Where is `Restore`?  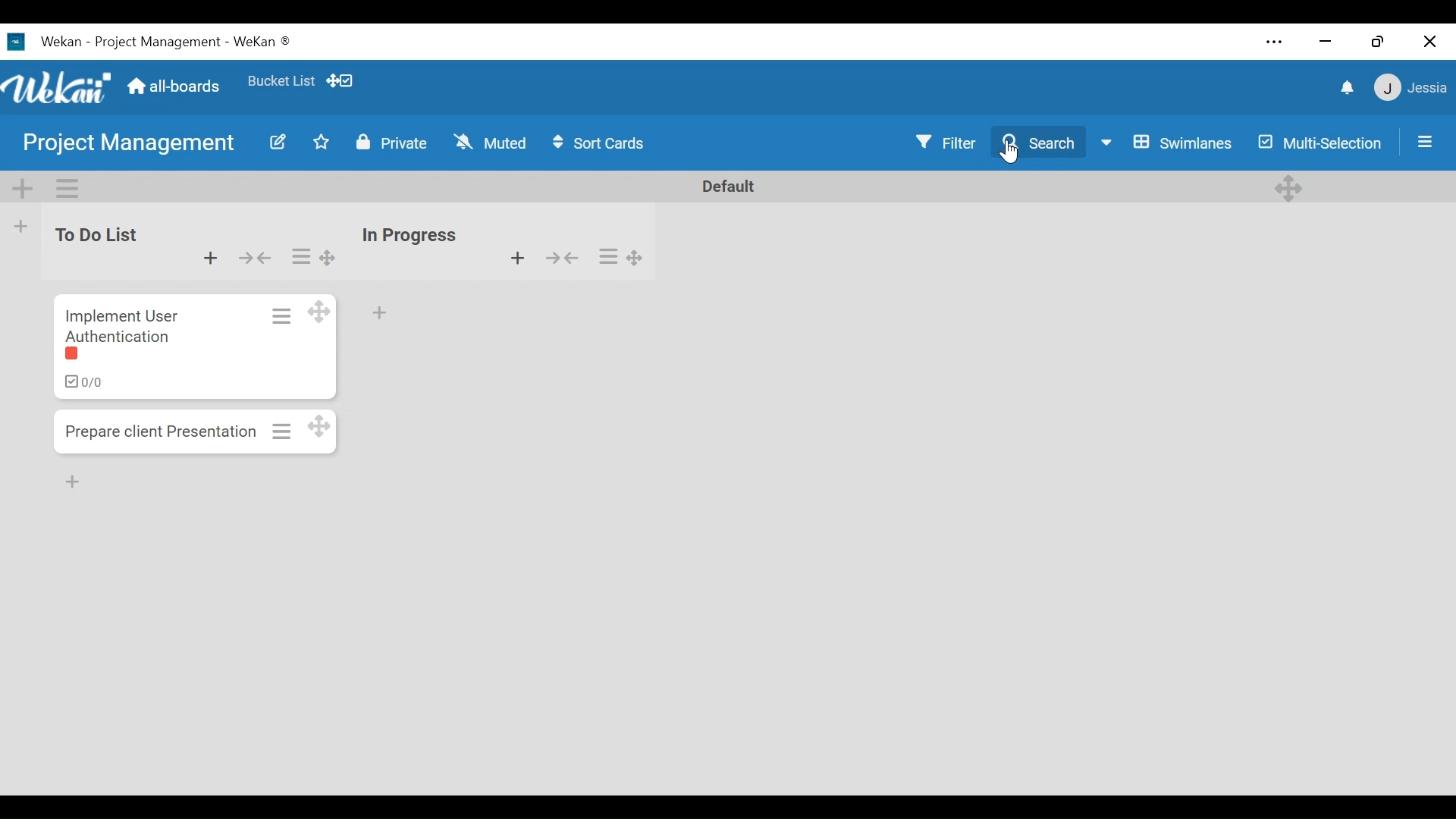 Restore is located at coordinates (1376, 42).